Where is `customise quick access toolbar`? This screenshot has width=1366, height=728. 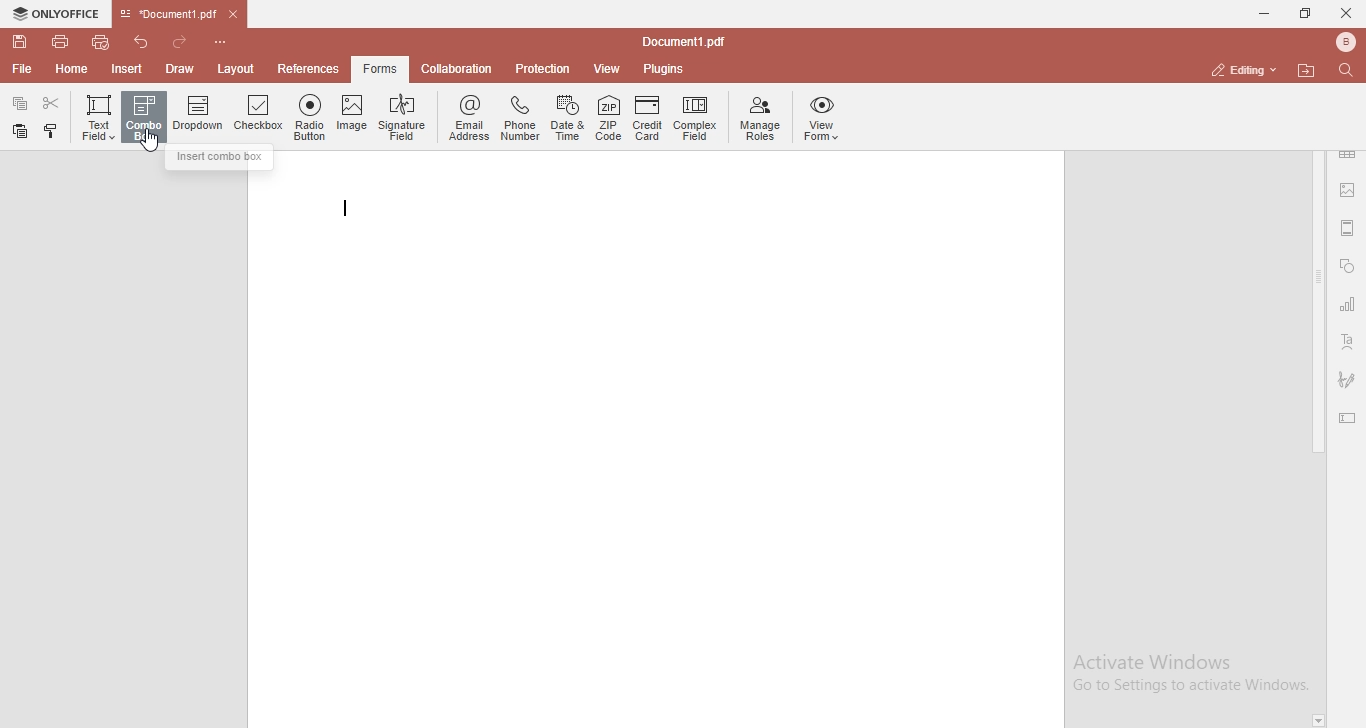
customise quick access toolbar is located at coordinates (224, 41).